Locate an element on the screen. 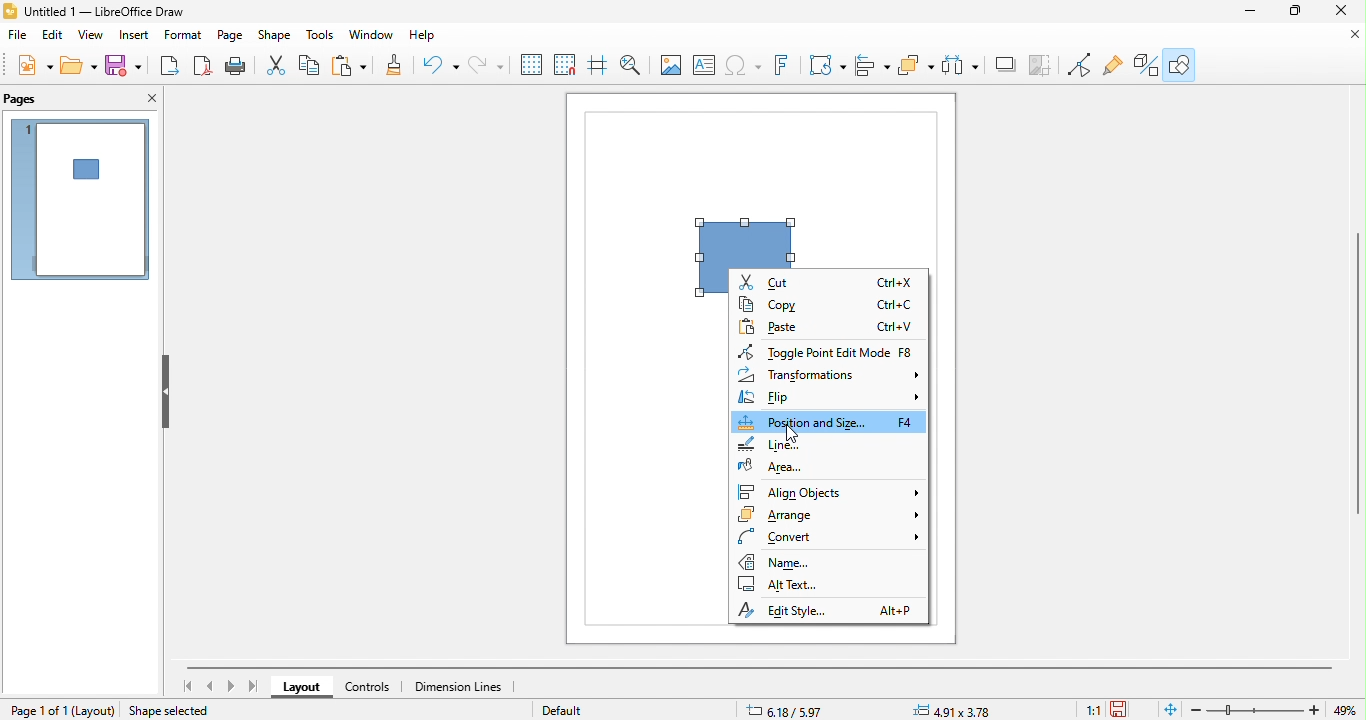 This screenshot has height=720, width=1366. position and size is located at coordinates (803, 422).